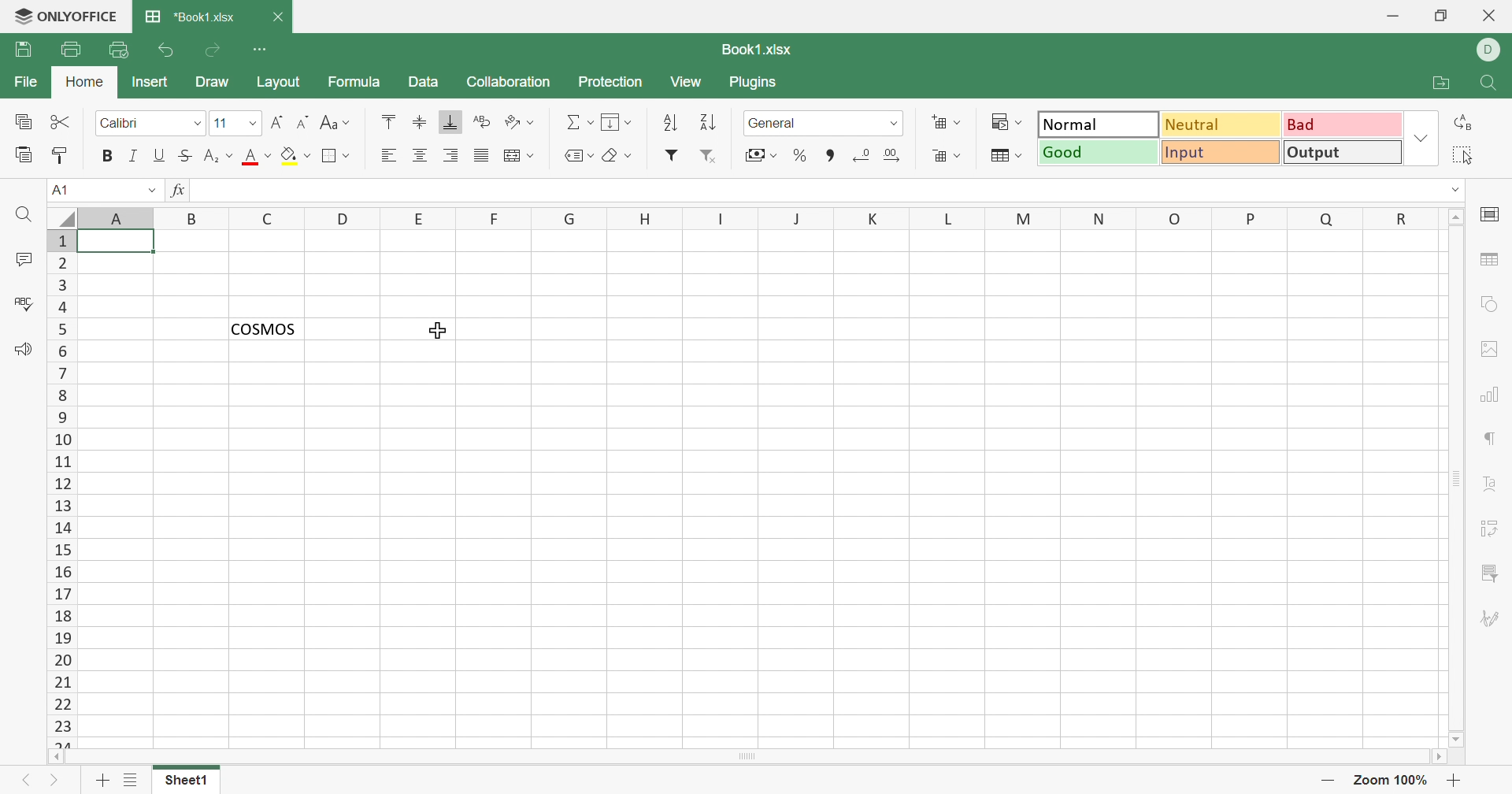 This screenshot has width=1512, height=794. I want to click on Scroll up, so click(1456, 216).